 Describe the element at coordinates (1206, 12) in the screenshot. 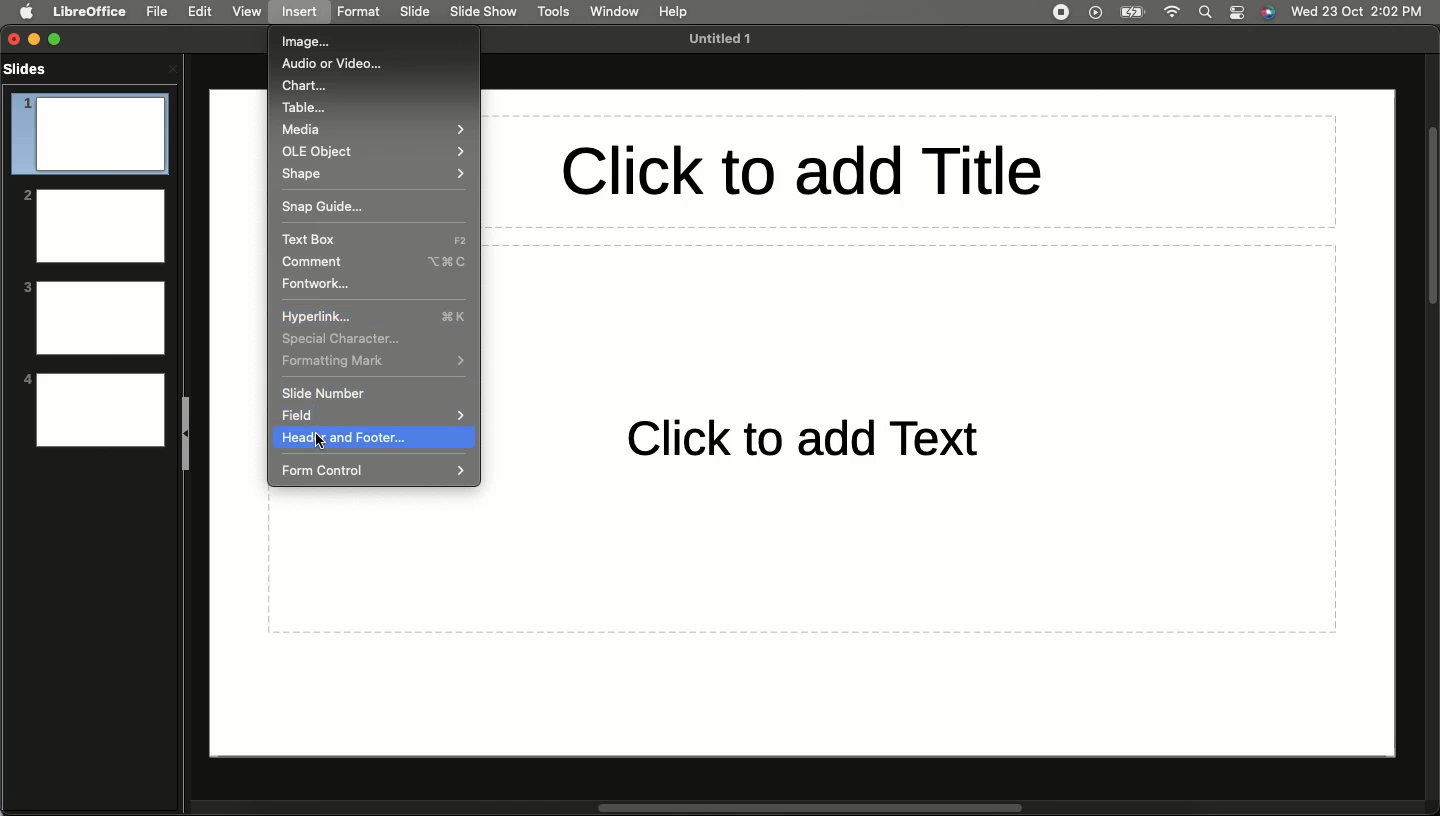

I see `Search` at that location.